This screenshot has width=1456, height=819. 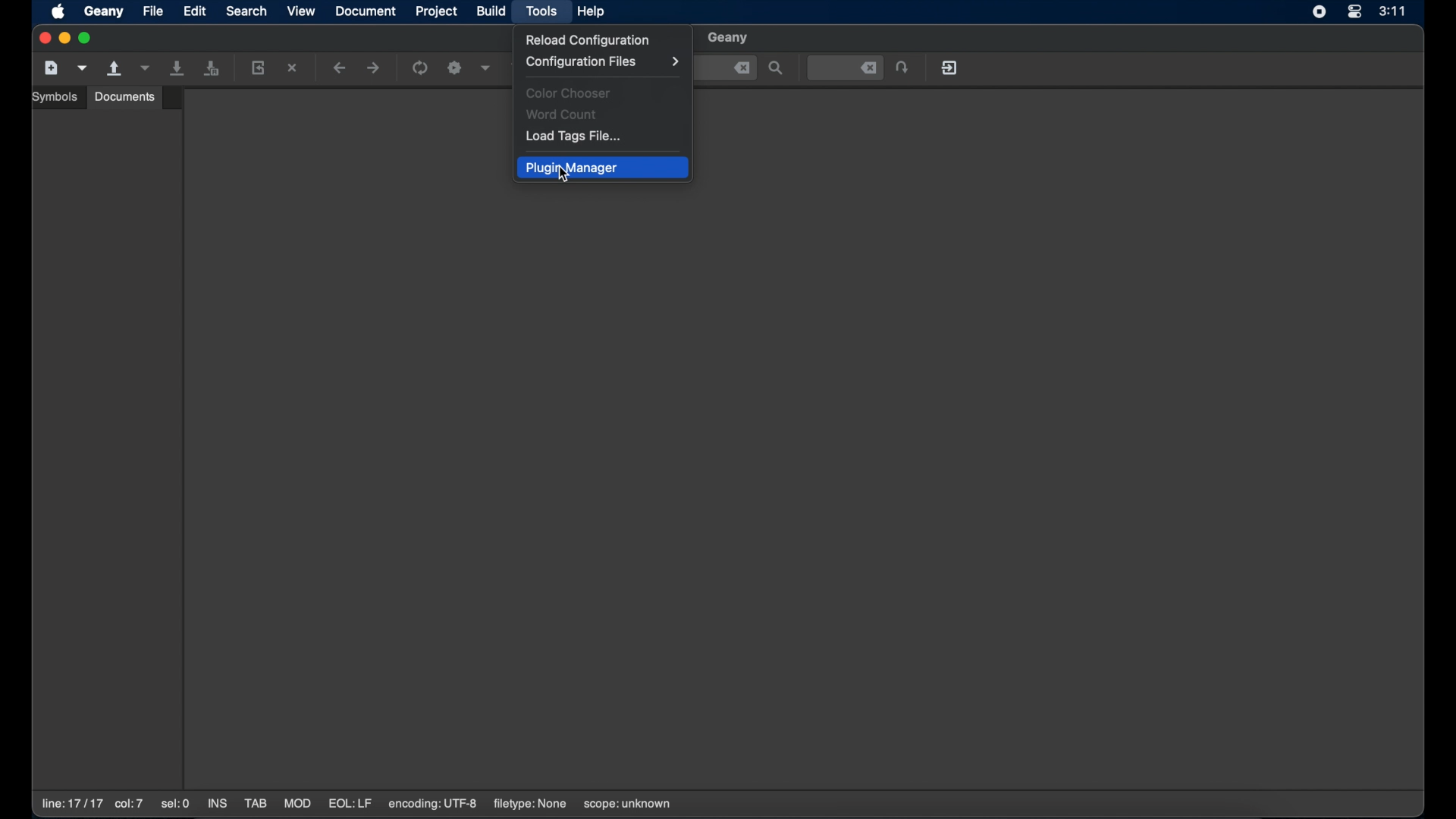 What do you see at coordinates (297, 804) in the screenshot?
I see `MOD` at bounding box center [297, 804].